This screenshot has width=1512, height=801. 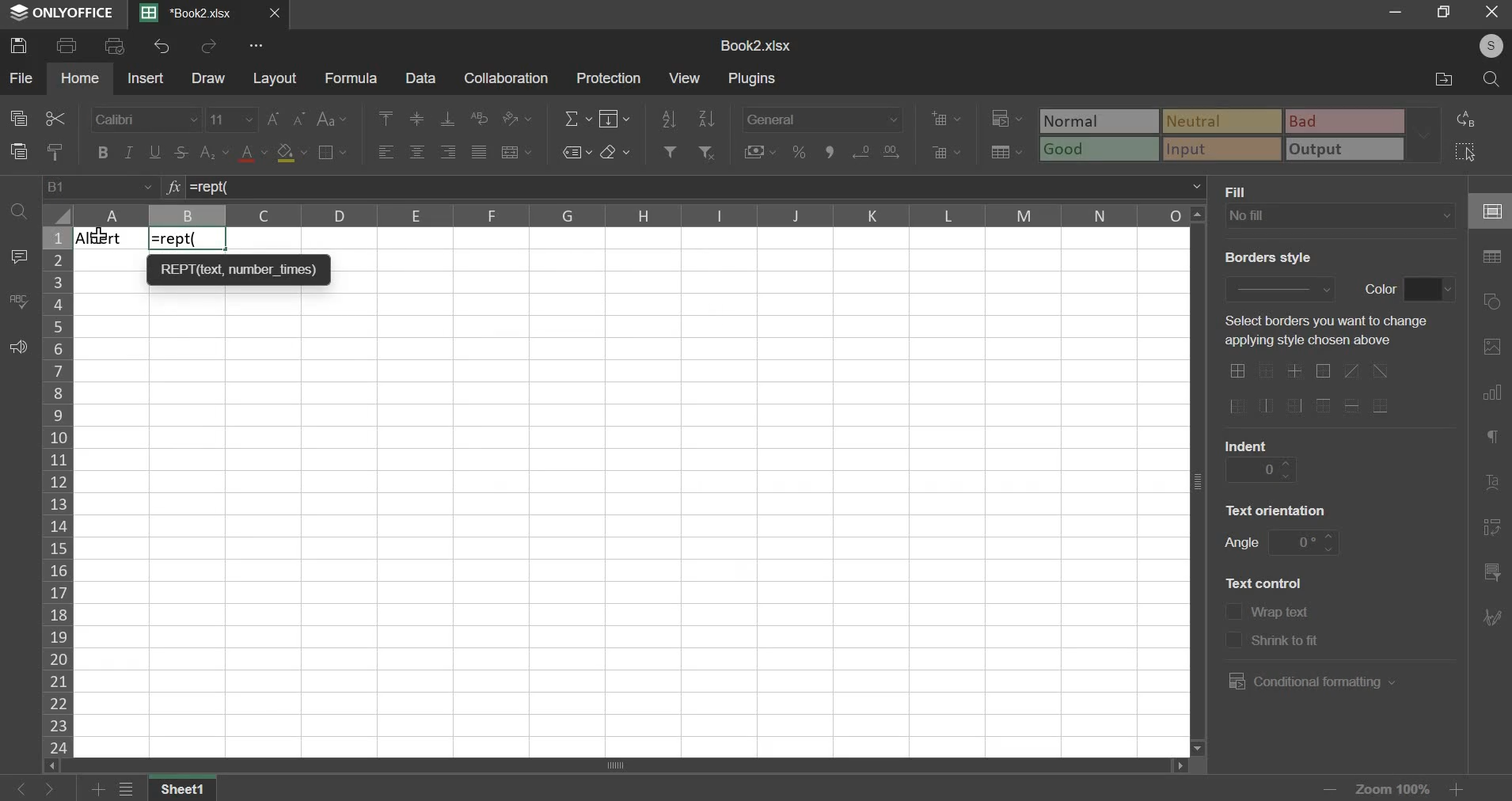 What do you see at coordinates (614, 119) in the screenshot?
I see `fill` at bounding box center [614, 119].